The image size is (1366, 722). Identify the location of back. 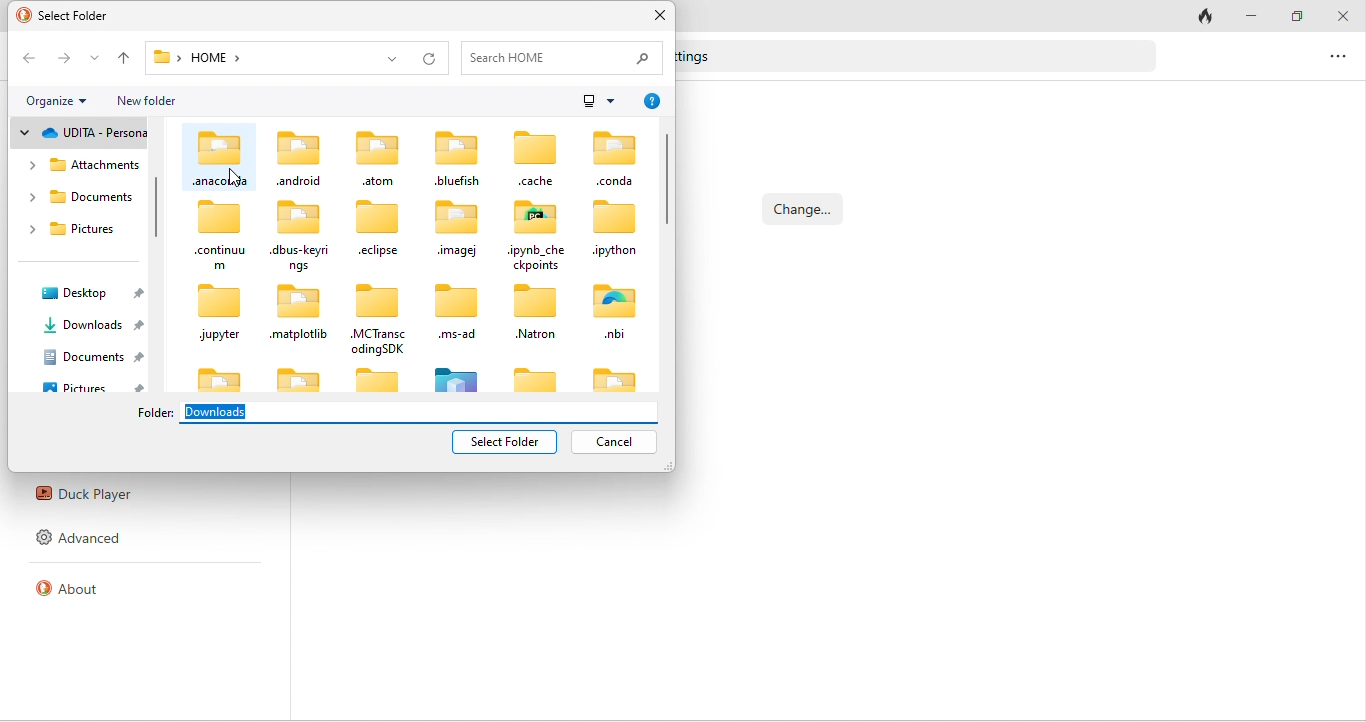
(25, 59).